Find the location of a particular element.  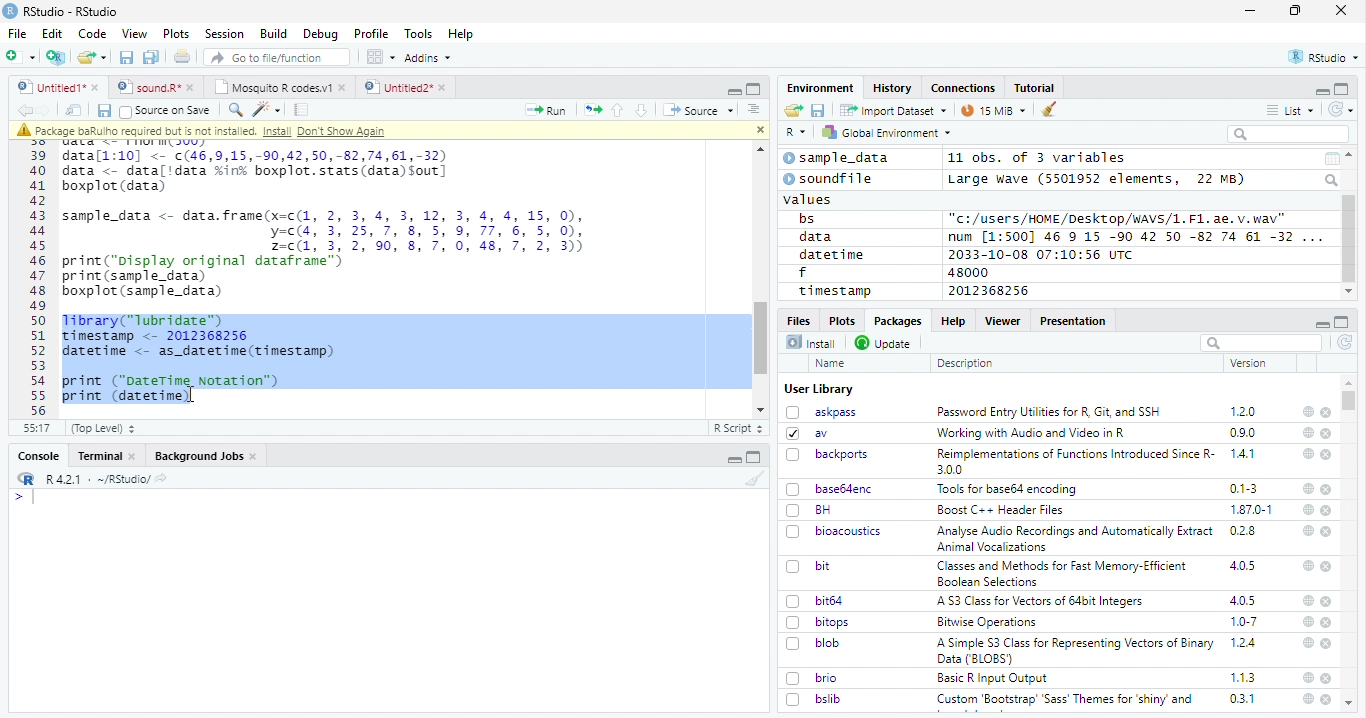

close is located at coordinates (1327, 678).